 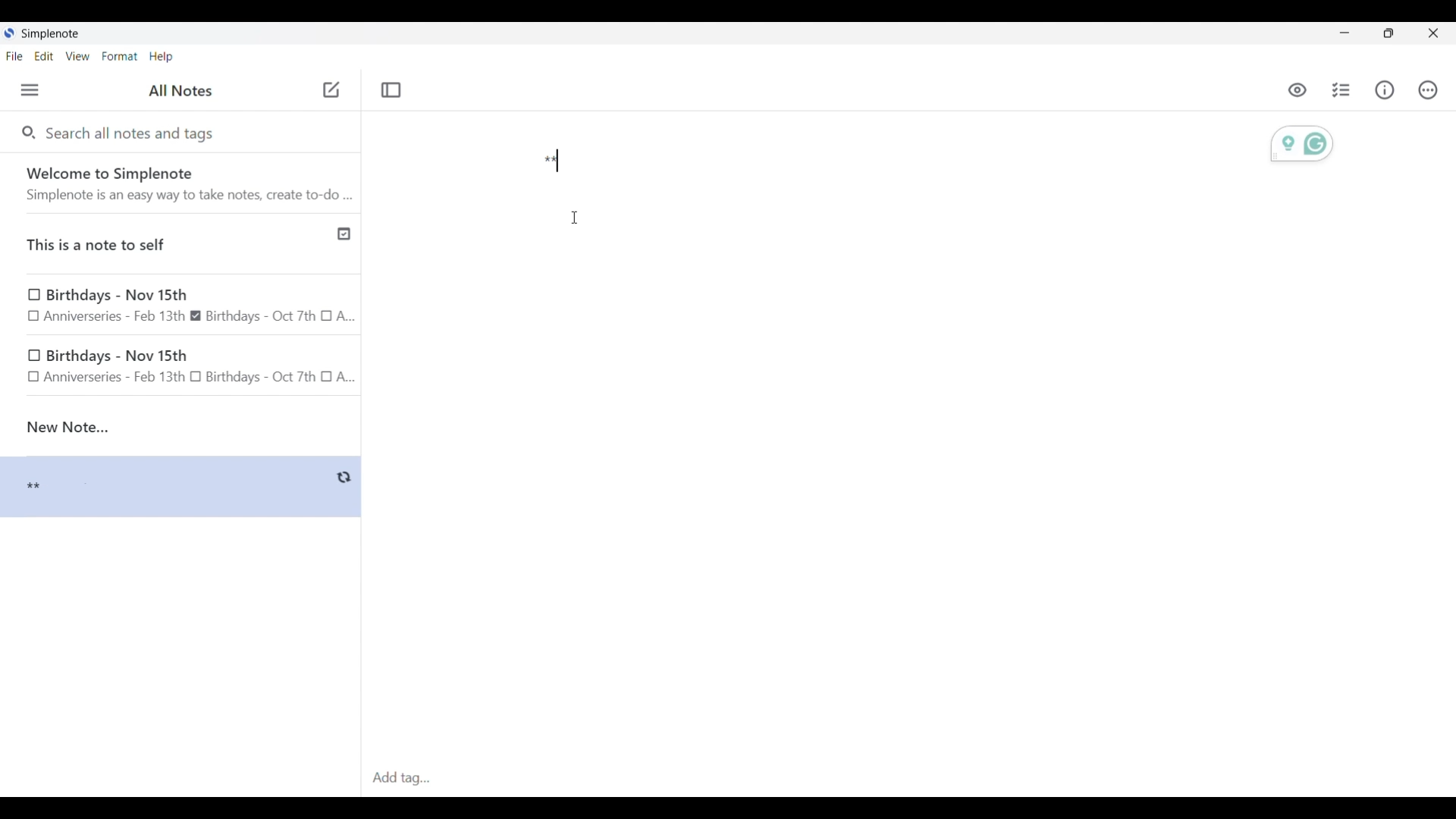 What do you see at coordinates (1342, 90) in the screenshot?
I see `Insert checklist` at bounding box center [1342, 90].